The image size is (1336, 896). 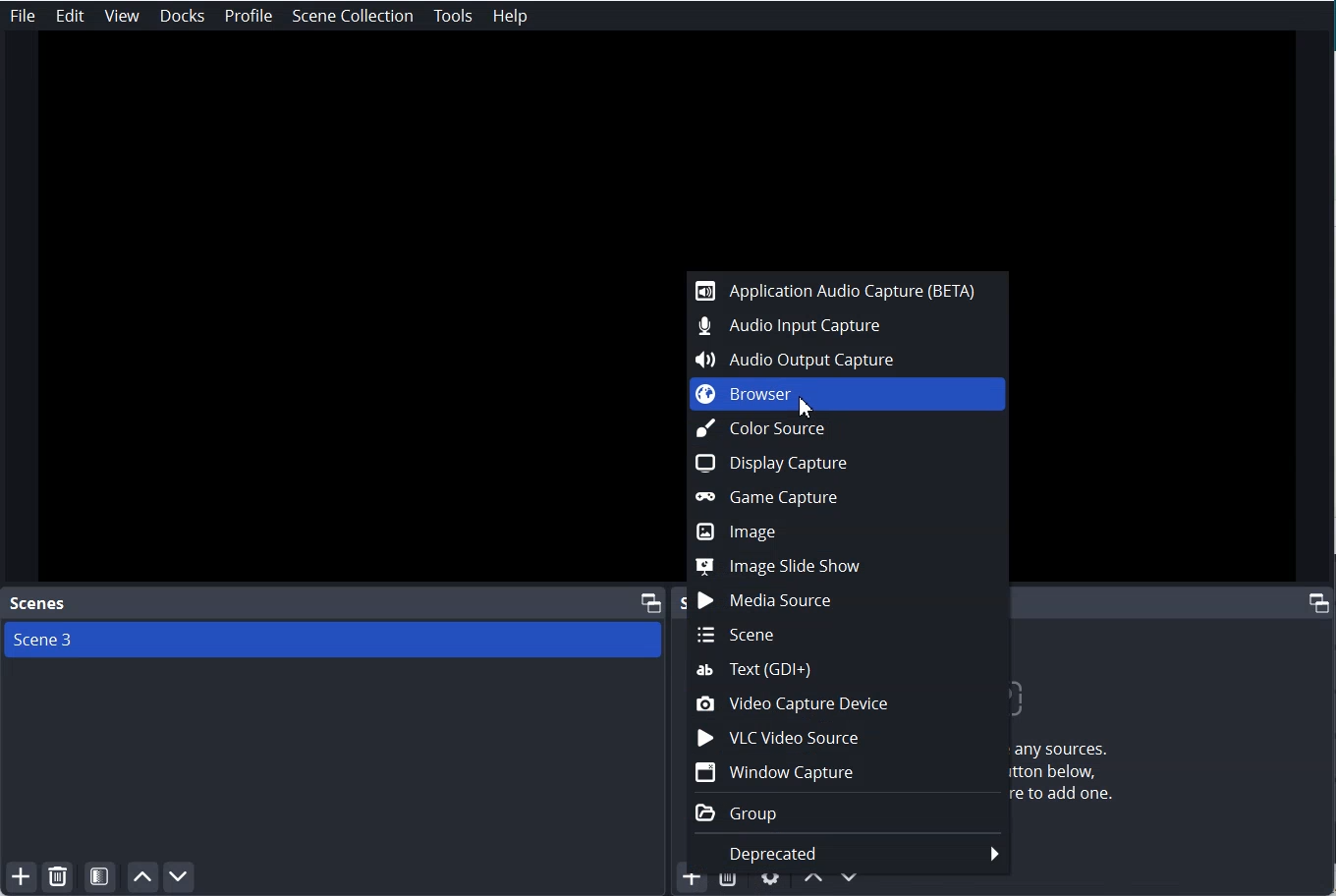 I want to click on Help, so click(x=510, y=17).